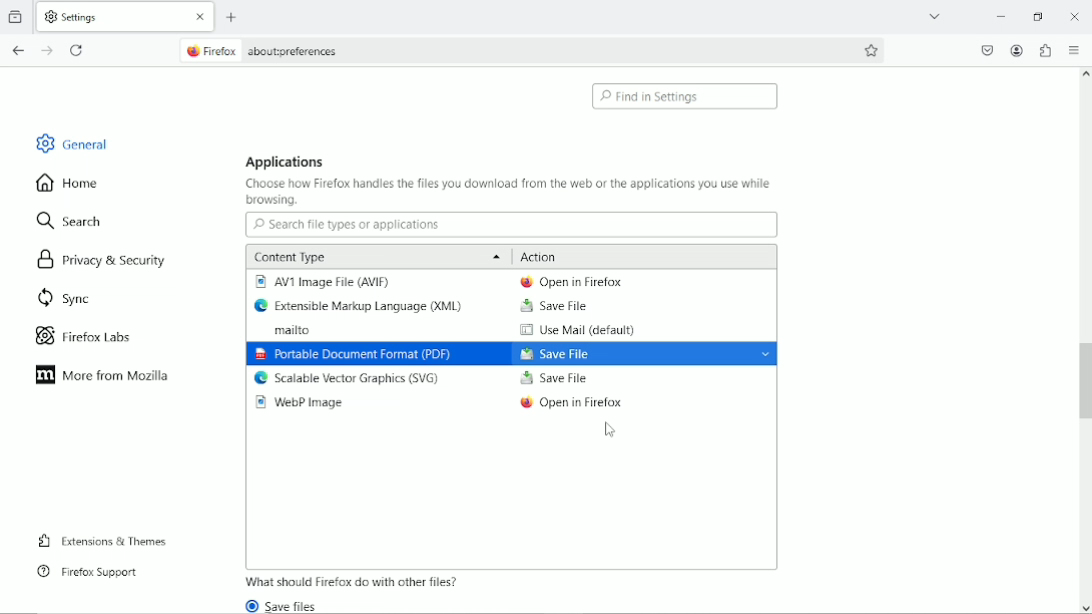 The width and height of the screenshot is (1092, 614). I want to click on What should Firefox do with other files?, so click(353, 581).